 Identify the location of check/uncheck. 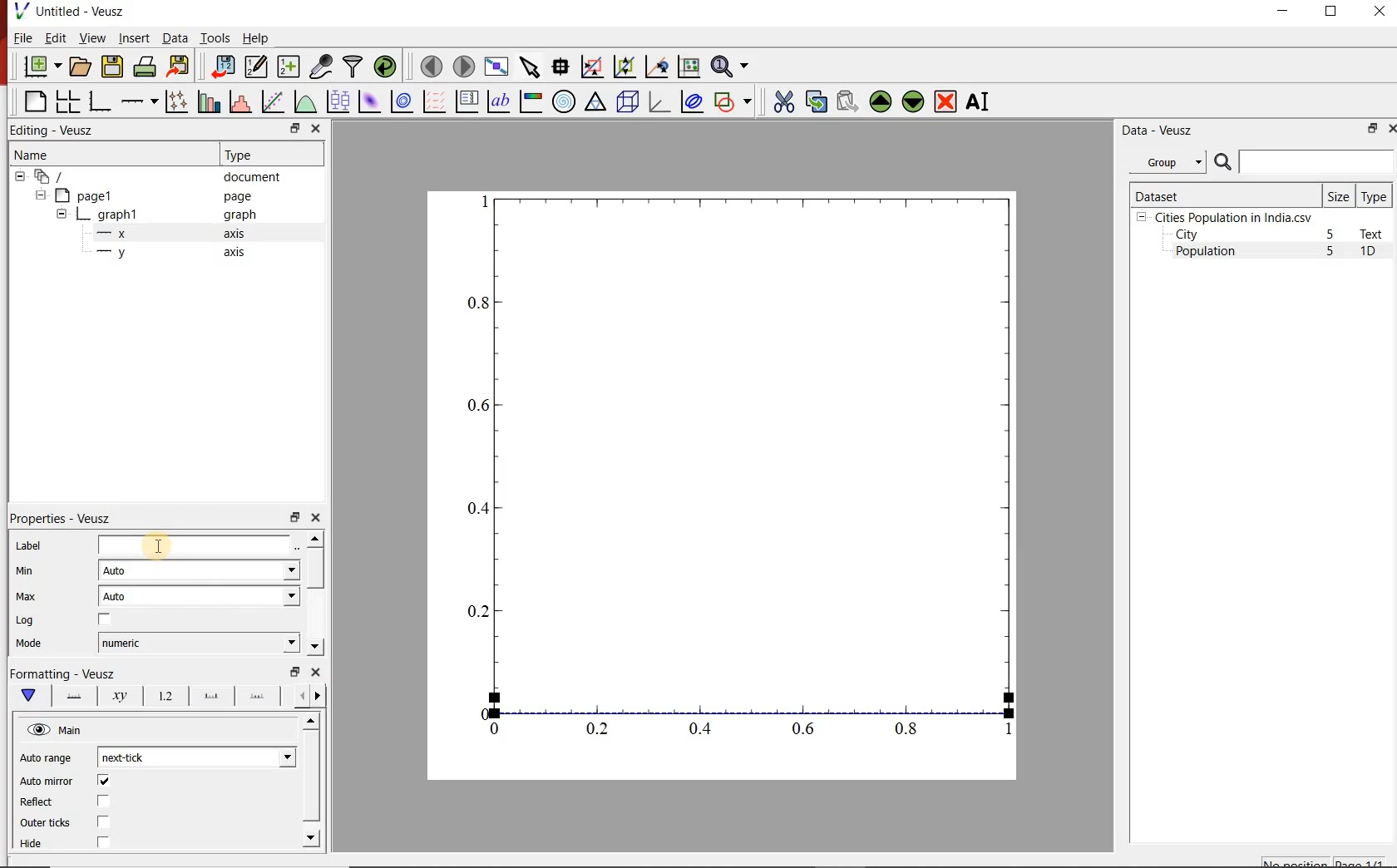
(105, 619).